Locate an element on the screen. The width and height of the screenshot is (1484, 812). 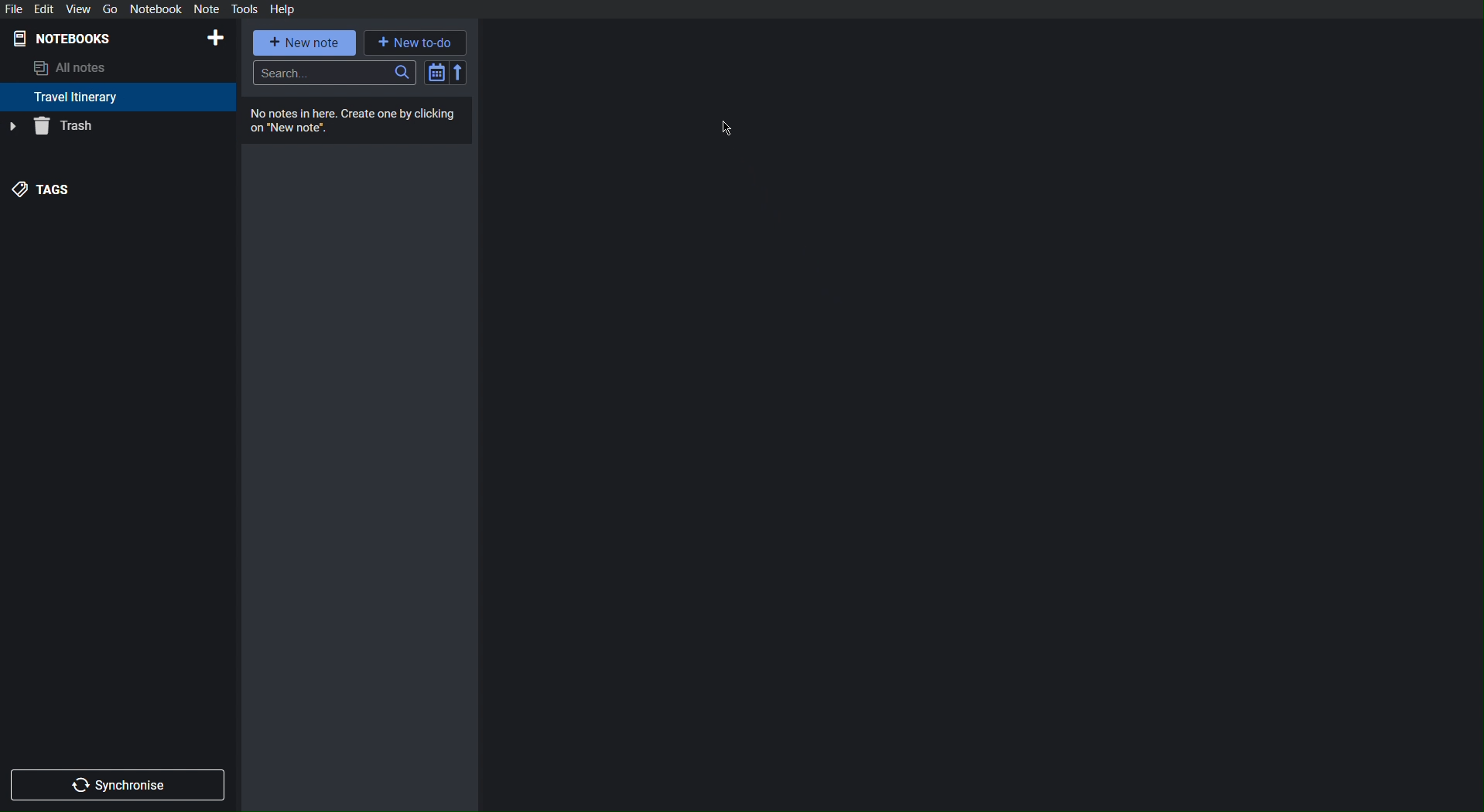
File is located at coordinates (15, 9).